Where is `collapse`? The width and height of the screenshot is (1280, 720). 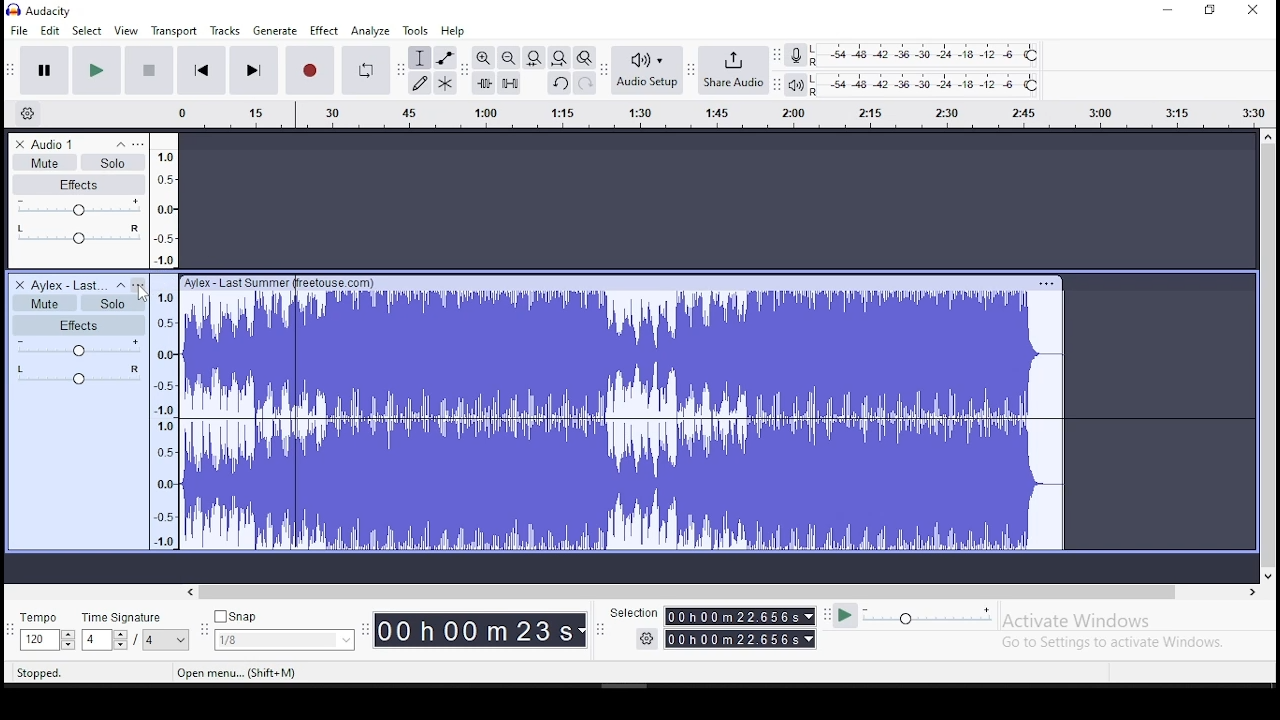 collapse is located at coordinates (119, 144).